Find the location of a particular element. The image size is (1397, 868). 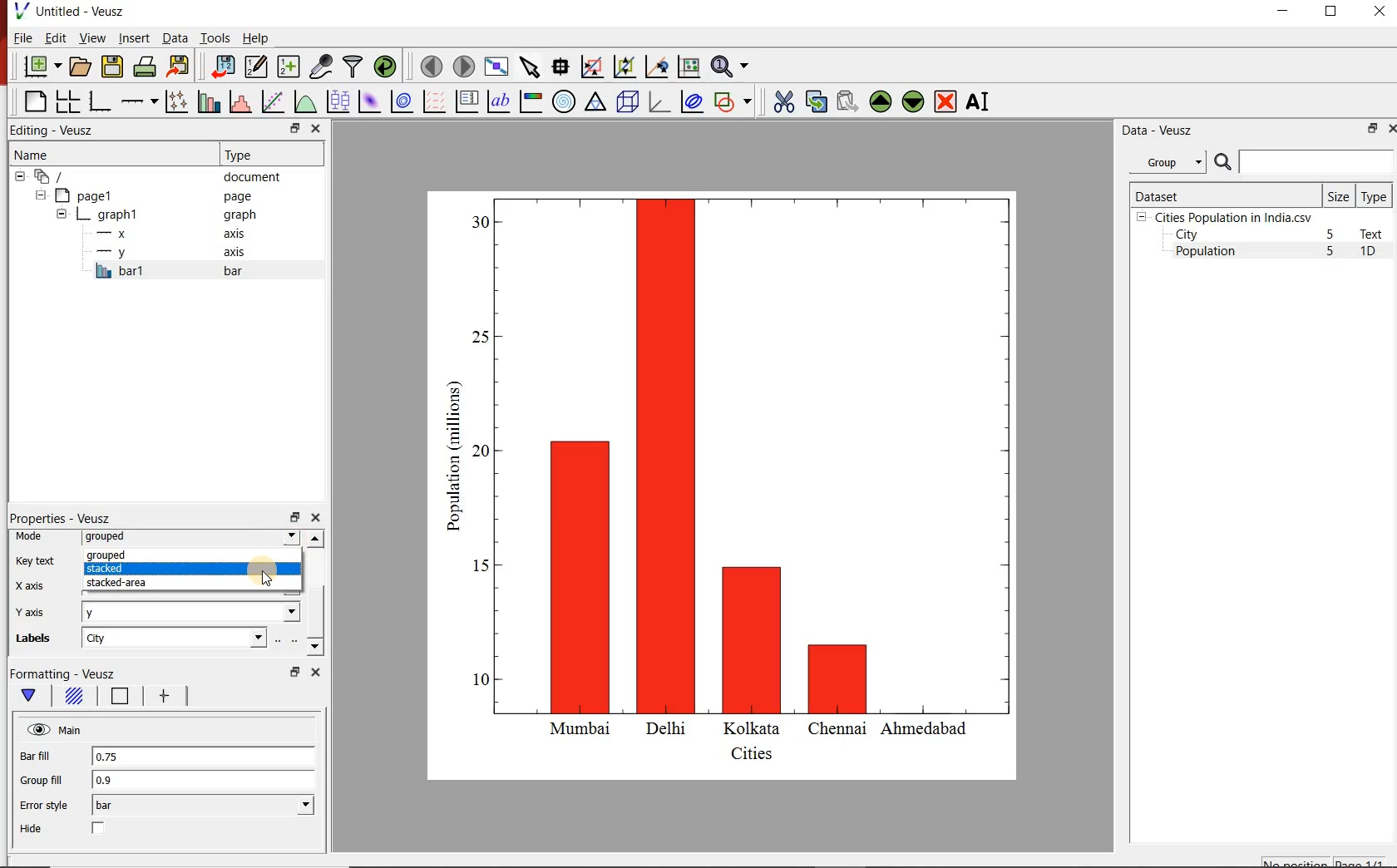

restore is located at coordinates (1373, 128).